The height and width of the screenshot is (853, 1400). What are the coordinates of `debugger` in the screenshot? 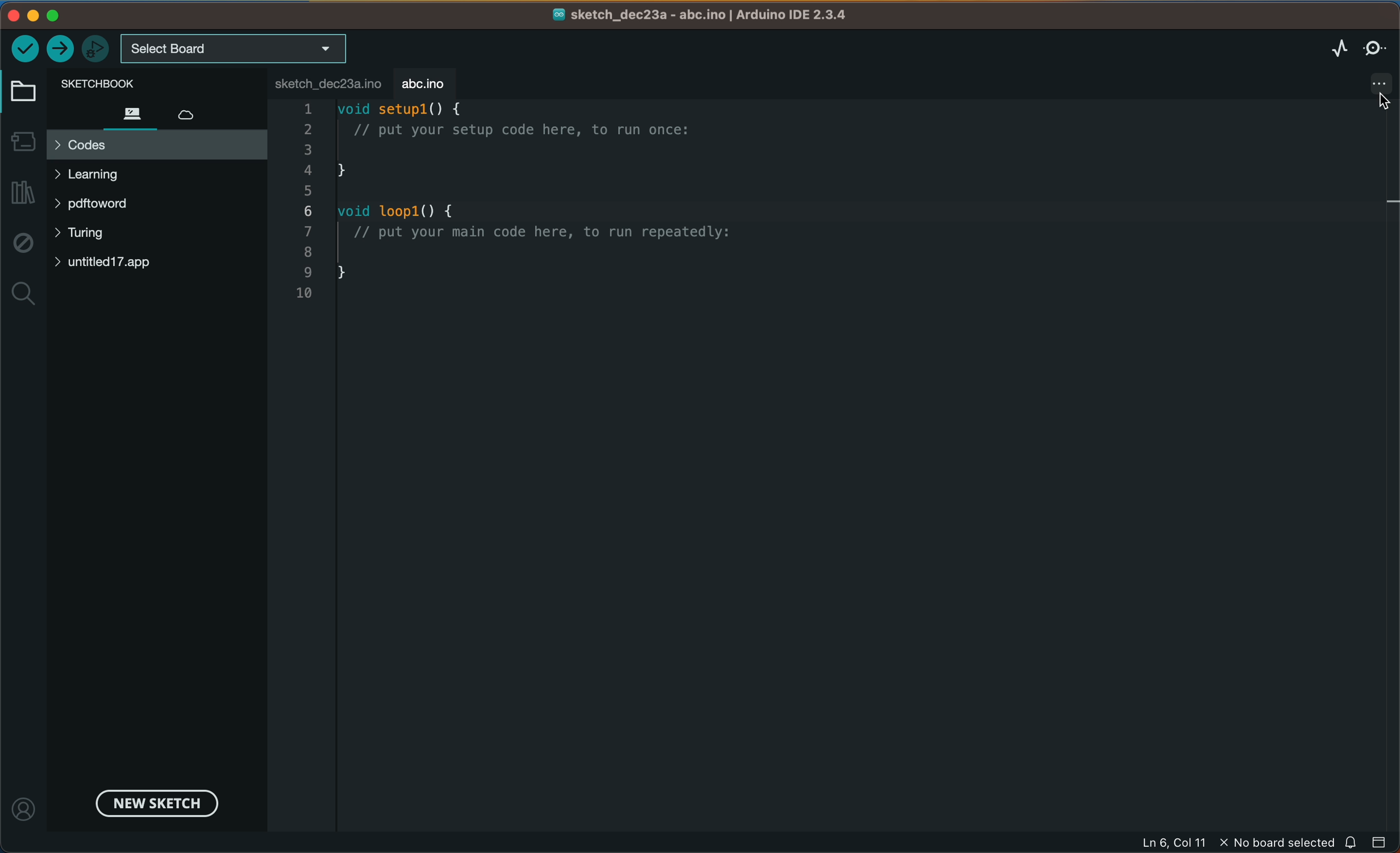 It's located at (94, 49).